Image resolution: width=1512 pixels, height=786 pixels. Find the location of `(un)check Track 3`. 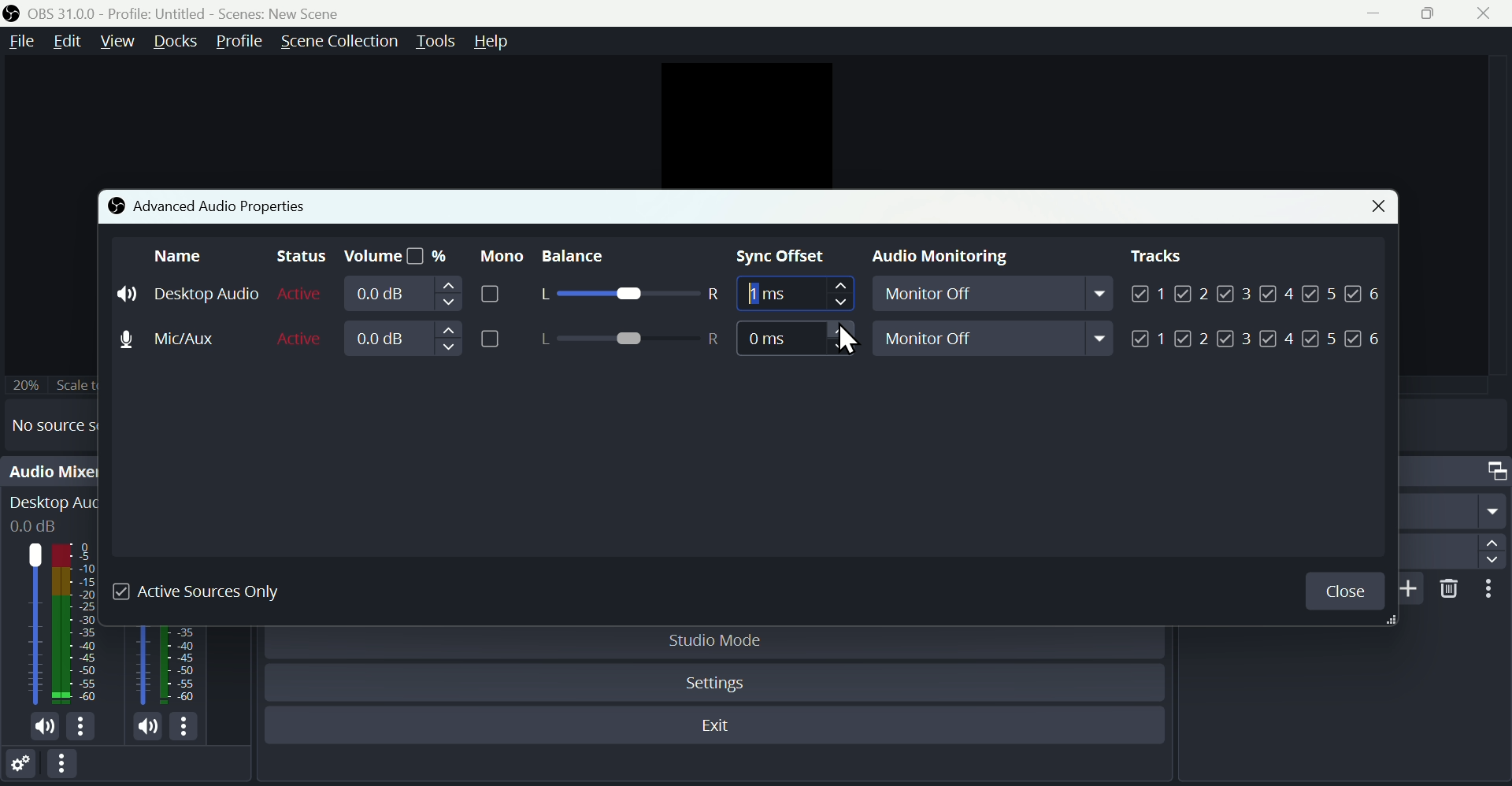

(un)check Track 3 is located at coordinates (1234, 339).